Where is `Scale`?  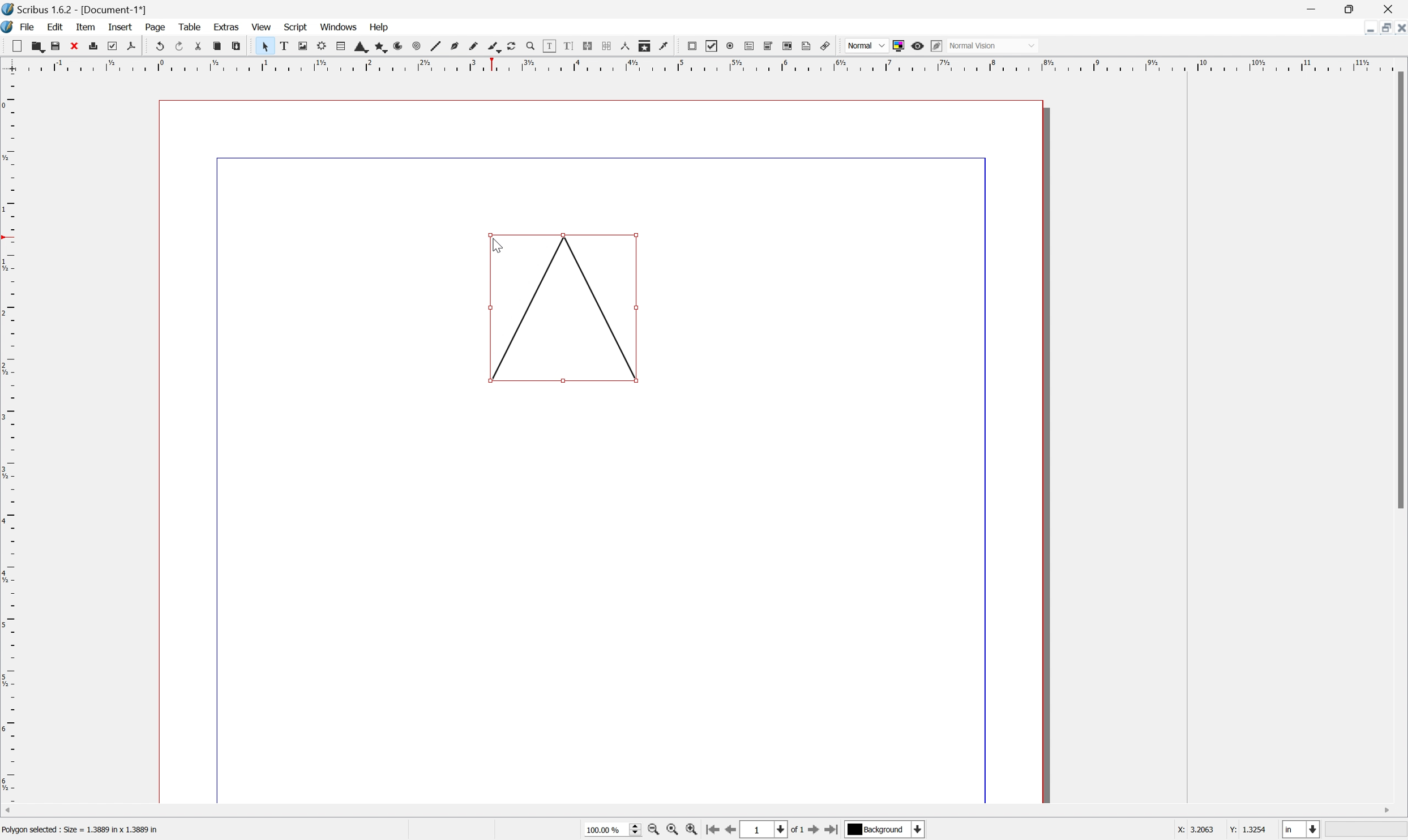
Scale is located at coordinates (703, 63).